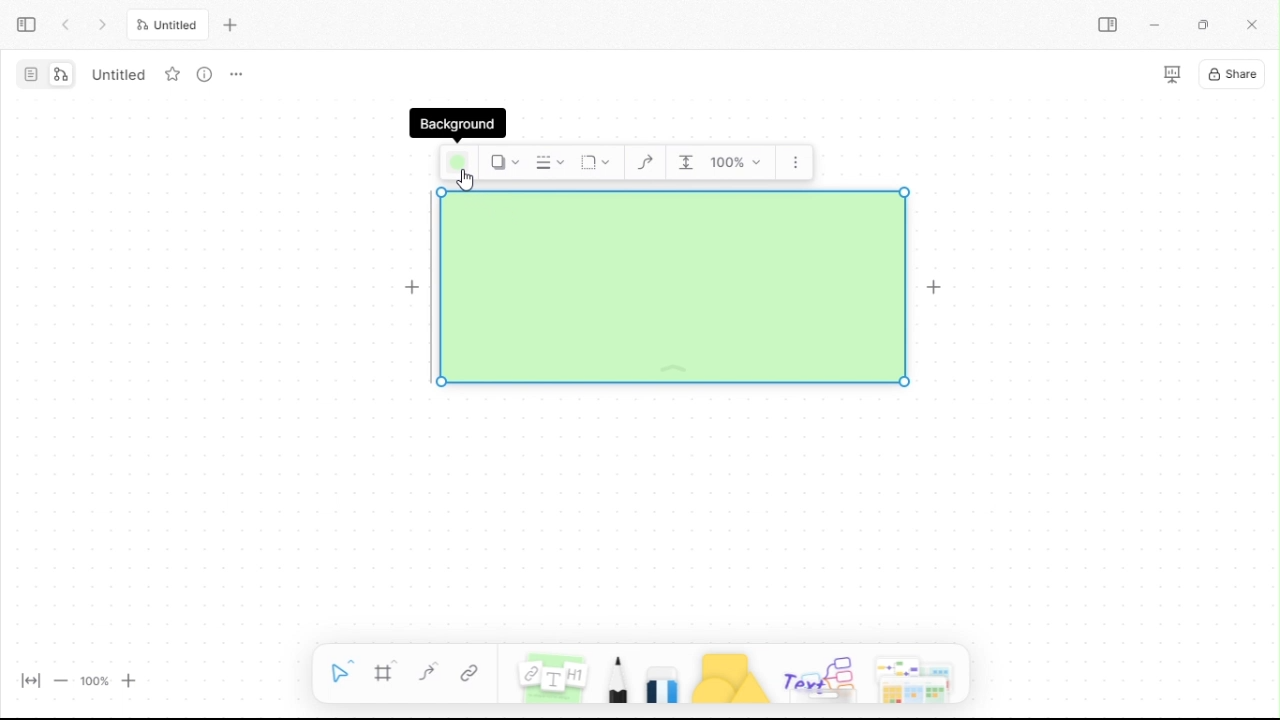 This screenshot has width=1280, height=720. What do you see at coordinates (819, 675) in the screenshot?
I see `others` at bounding box center [819, 675].